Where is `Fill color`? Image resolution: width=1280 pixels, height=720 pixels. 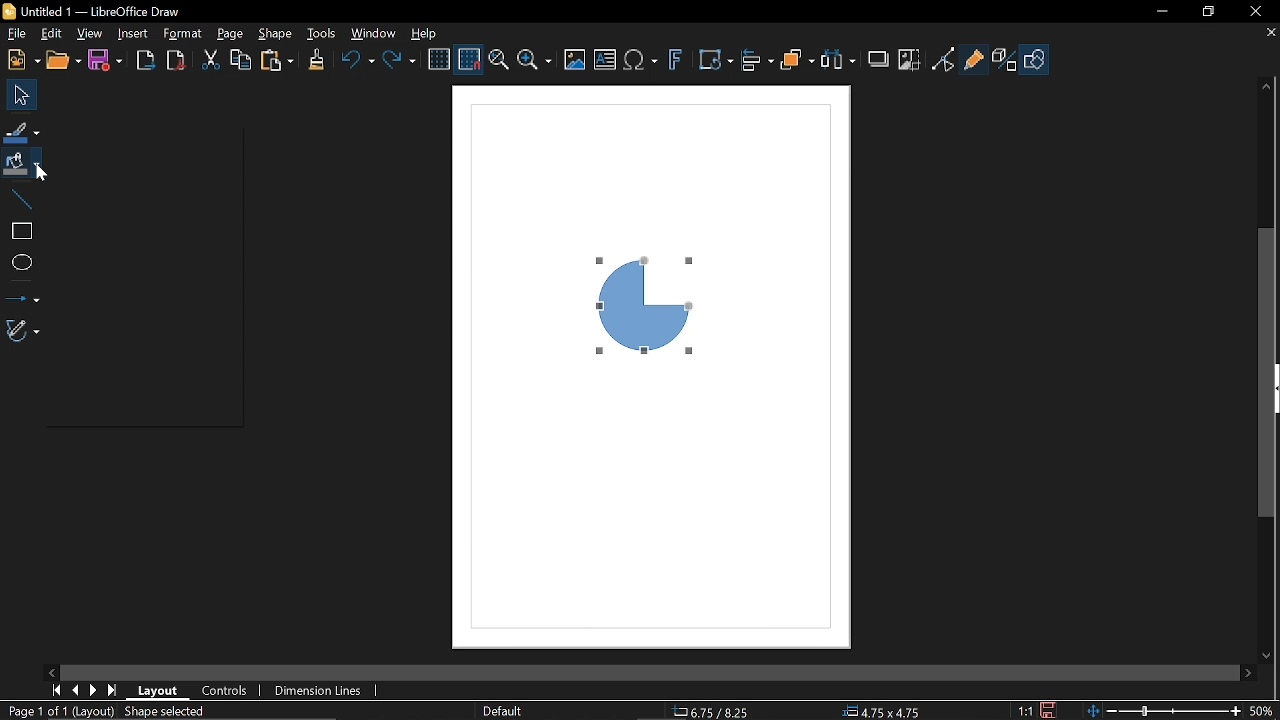 Fill color is located at coordinates (22, 166).